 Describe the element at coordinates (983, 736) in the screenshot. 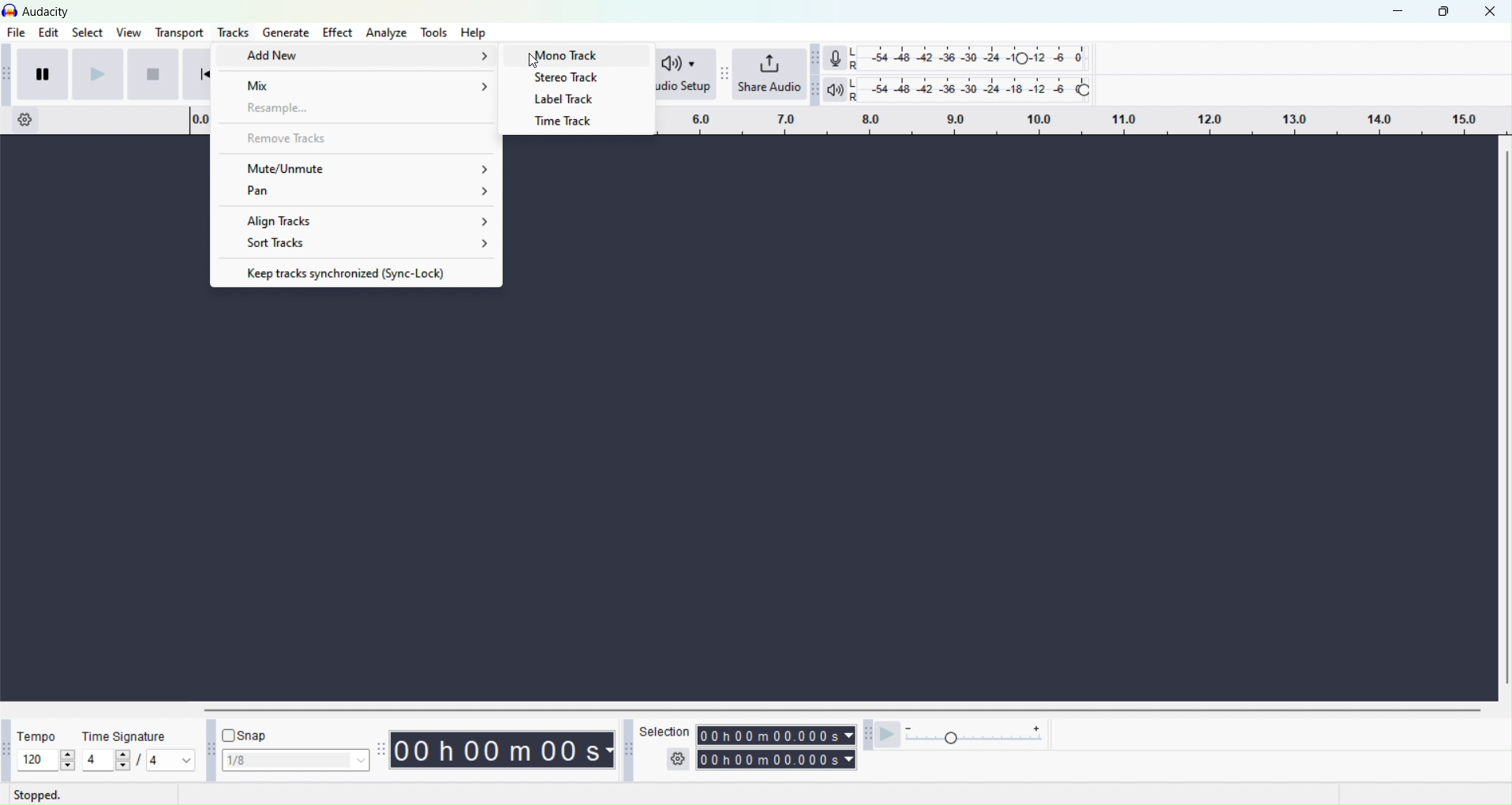

I see `Playback speed` at that location.